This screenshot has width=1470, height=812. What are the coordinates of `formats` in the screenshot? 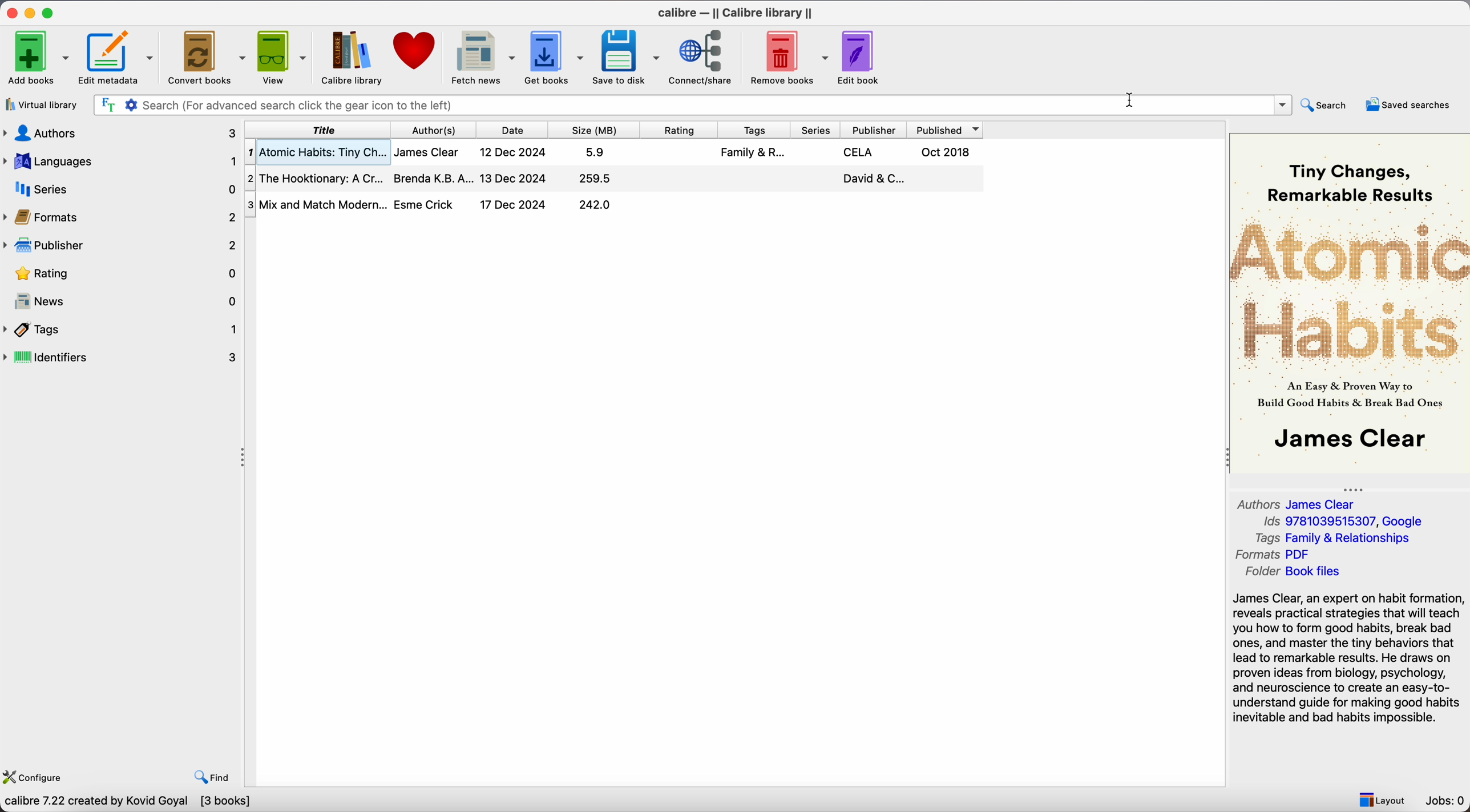 It's located at (123, 217).